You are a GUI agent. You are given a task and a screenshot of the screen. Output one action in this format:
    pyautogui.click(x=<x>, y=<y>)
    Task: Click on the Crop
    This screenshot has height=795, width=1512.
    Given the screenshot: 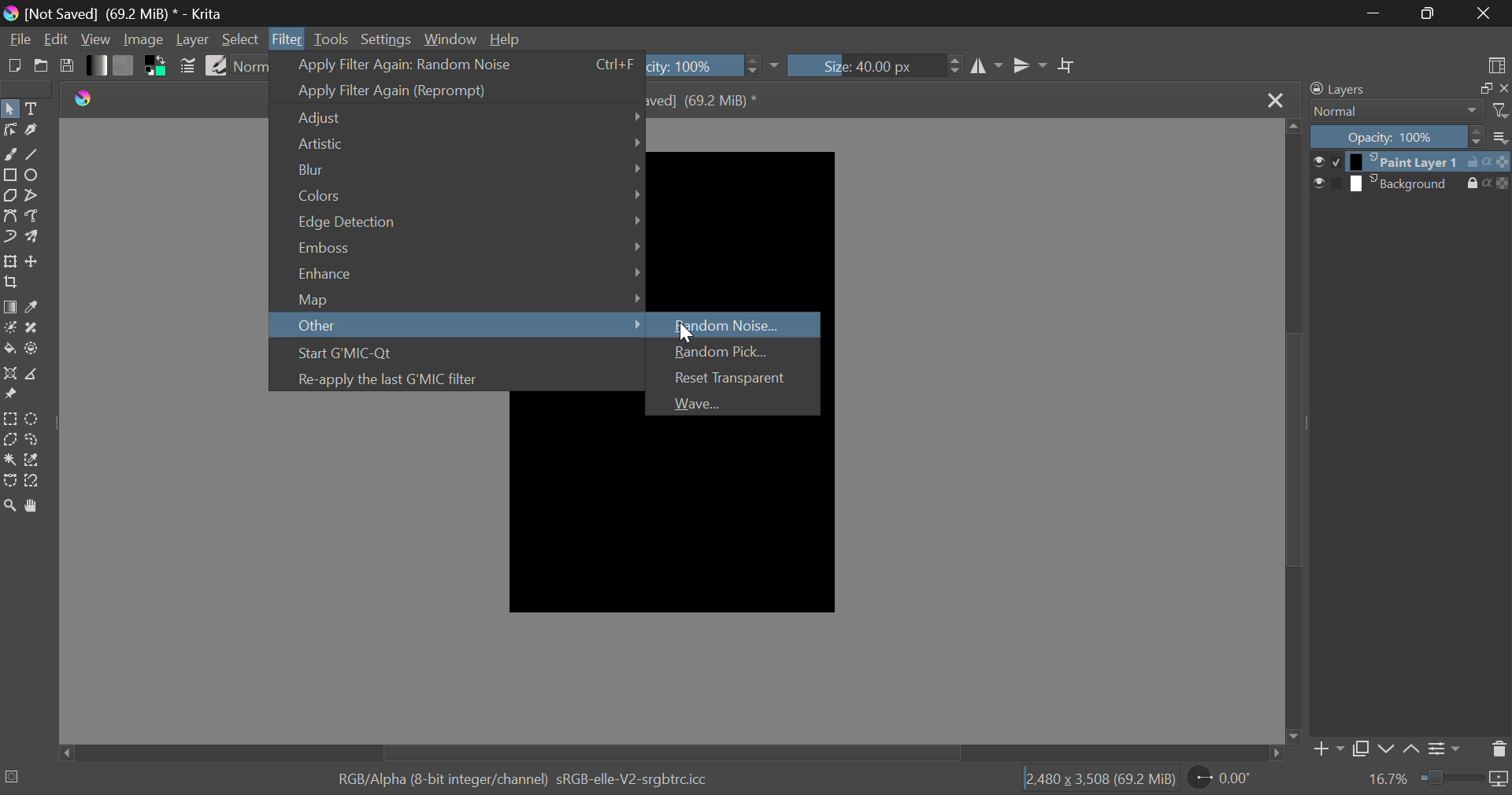 What is the action you would take?
    pyautogui.click(x=9, y=283)
    